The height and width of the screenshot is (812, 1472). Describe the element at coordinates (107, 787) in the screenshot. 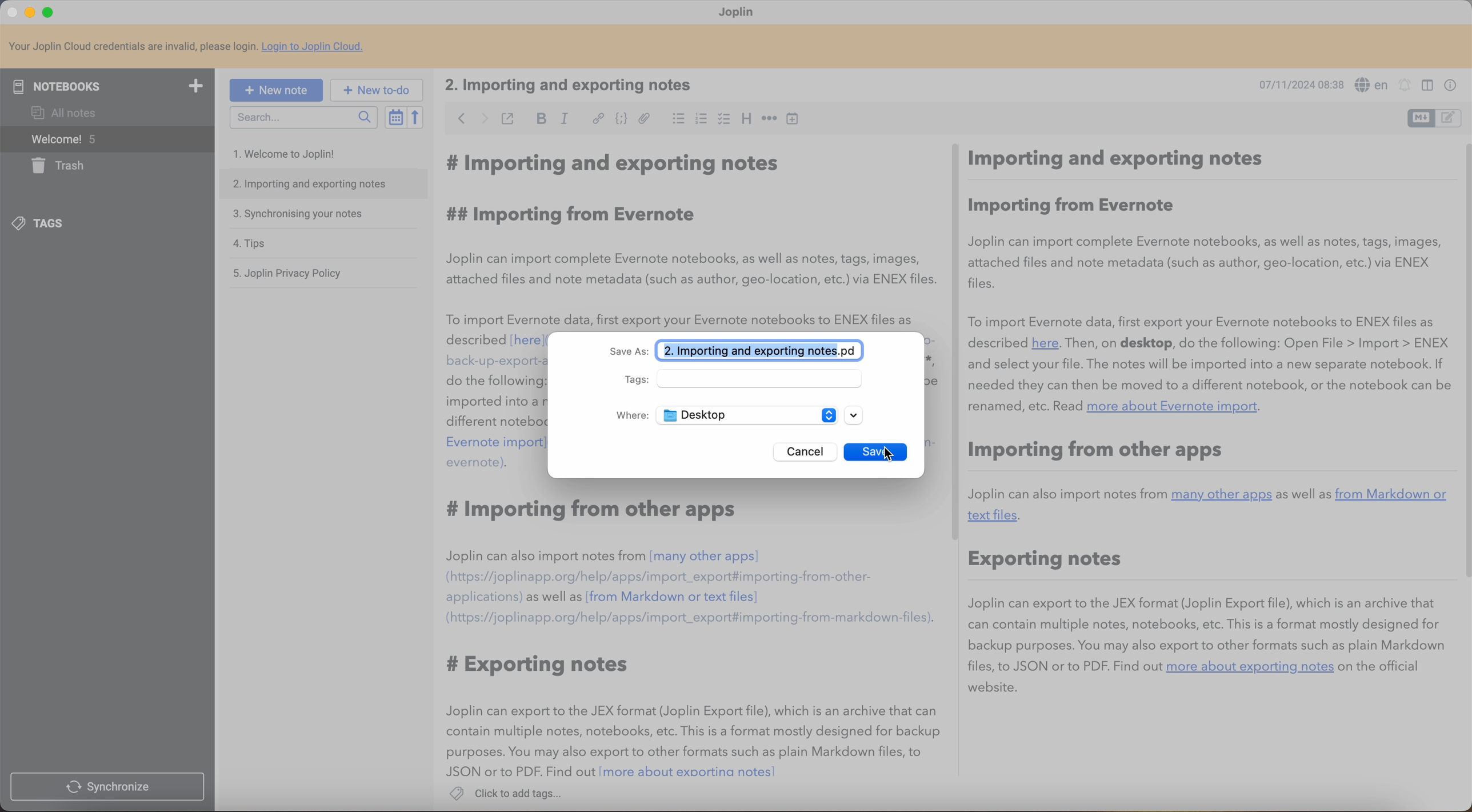

I see `synchronize` at that location.